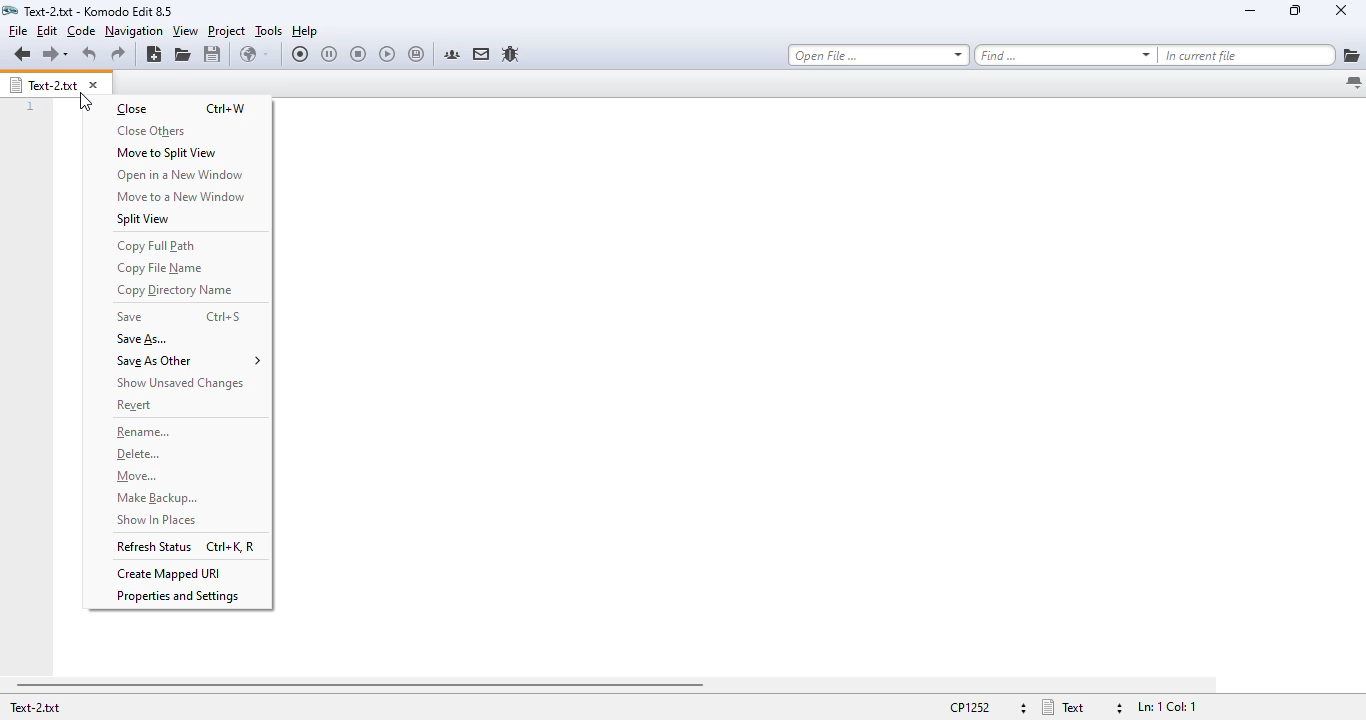 Image resolution: width=1366 pixels, height=720 pixels. Describe the element at coordinates (1296, 10) in the screenshot. I see `maximize` at that location.